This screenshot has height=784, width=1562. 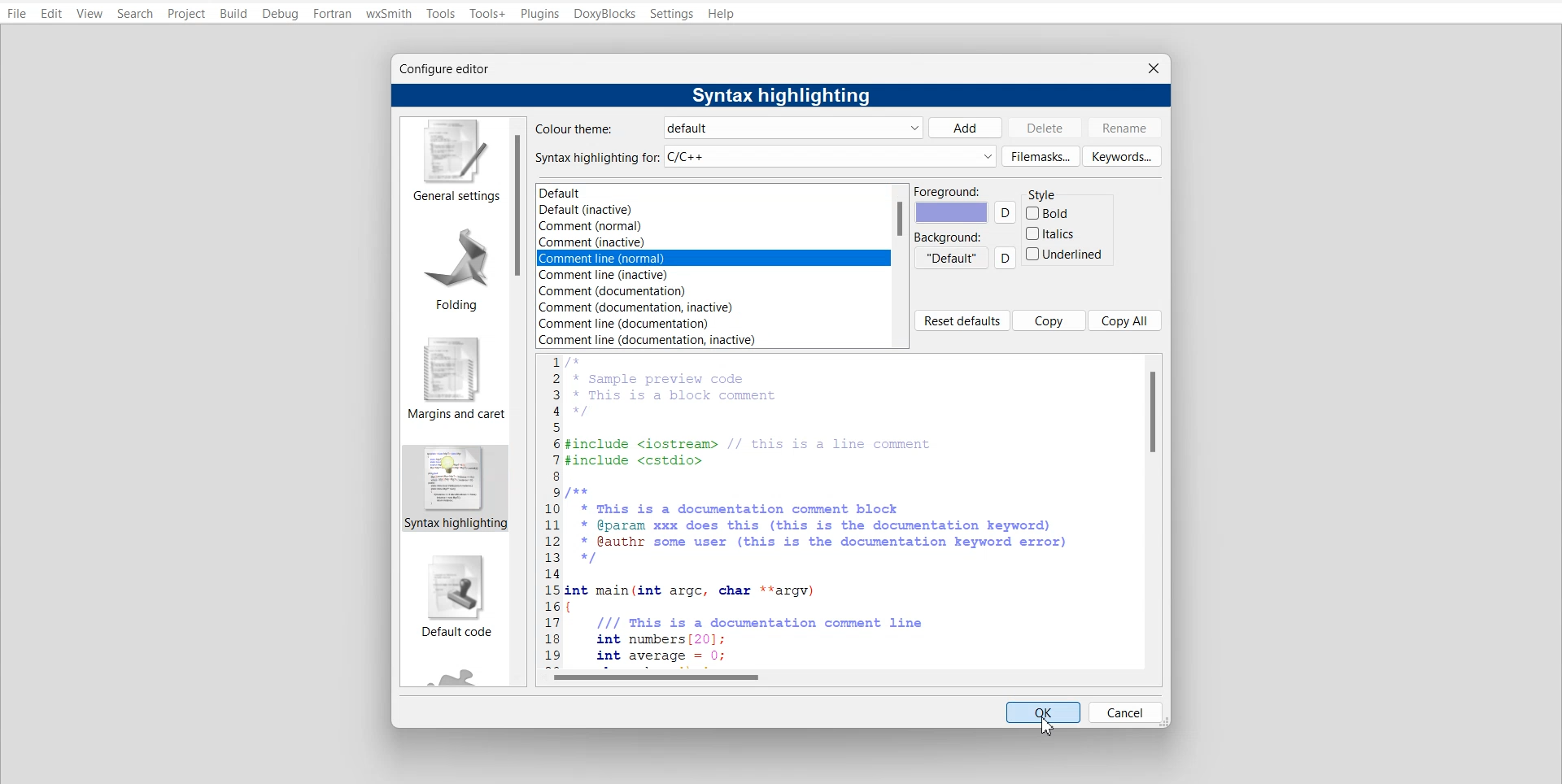 What do you see at coordinates (778, 96) in the screenshot?
I see `Syntax highlighting` at bounding box center [778, 96].